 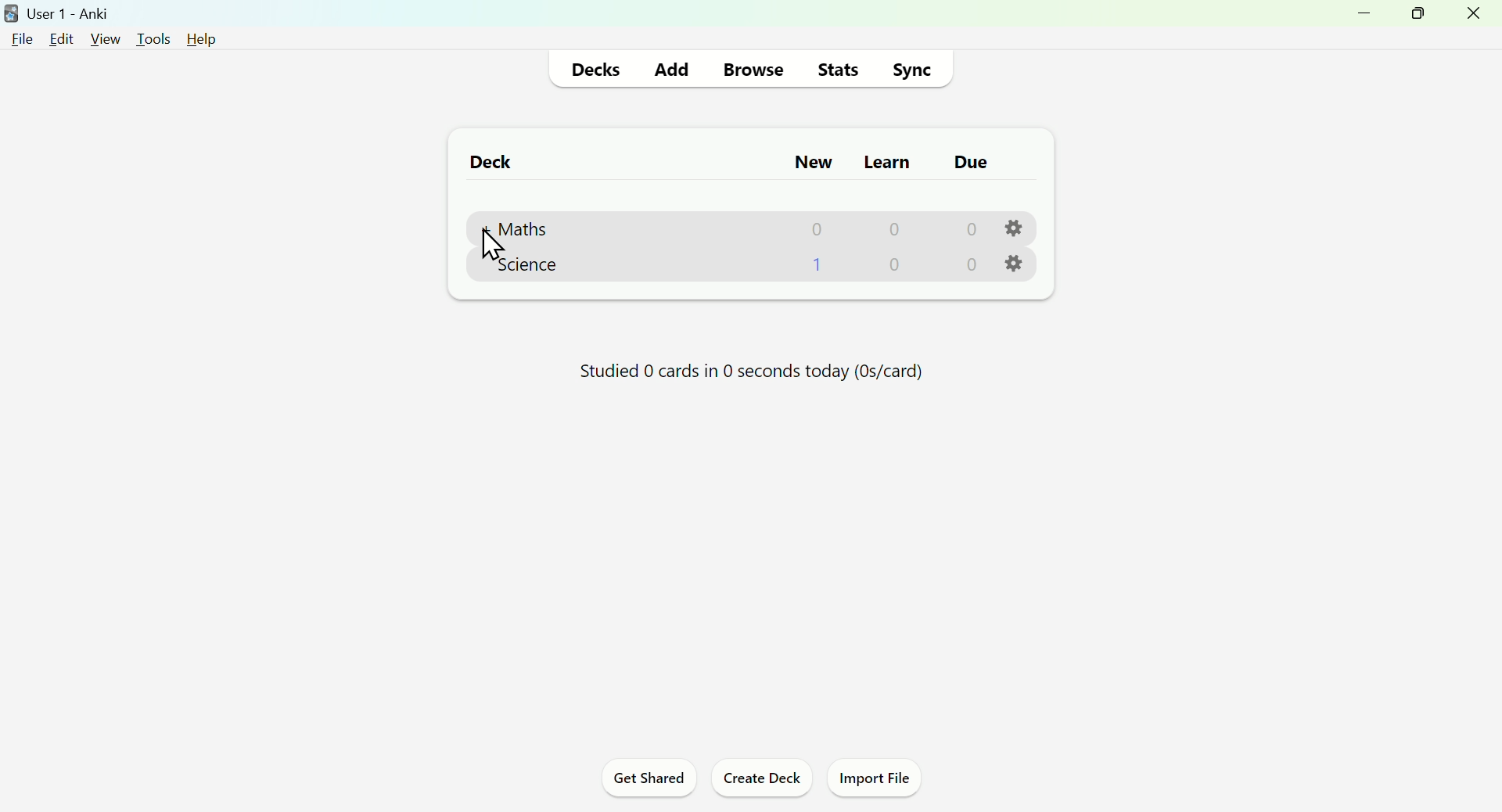 I want to click on Maths , so click(x=517, y=230).